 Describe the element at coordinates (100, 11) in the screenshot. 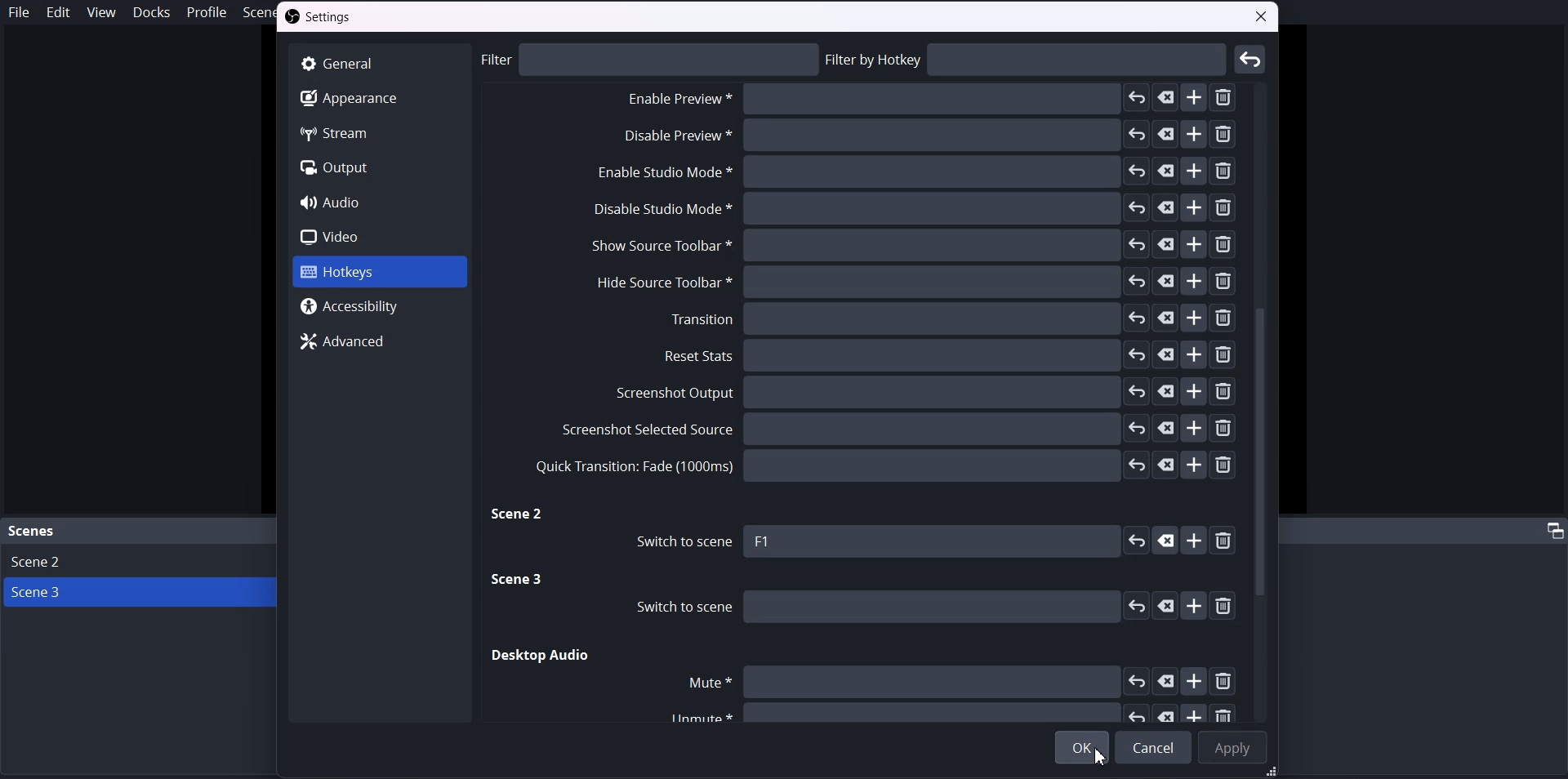

I see `View` at that location.